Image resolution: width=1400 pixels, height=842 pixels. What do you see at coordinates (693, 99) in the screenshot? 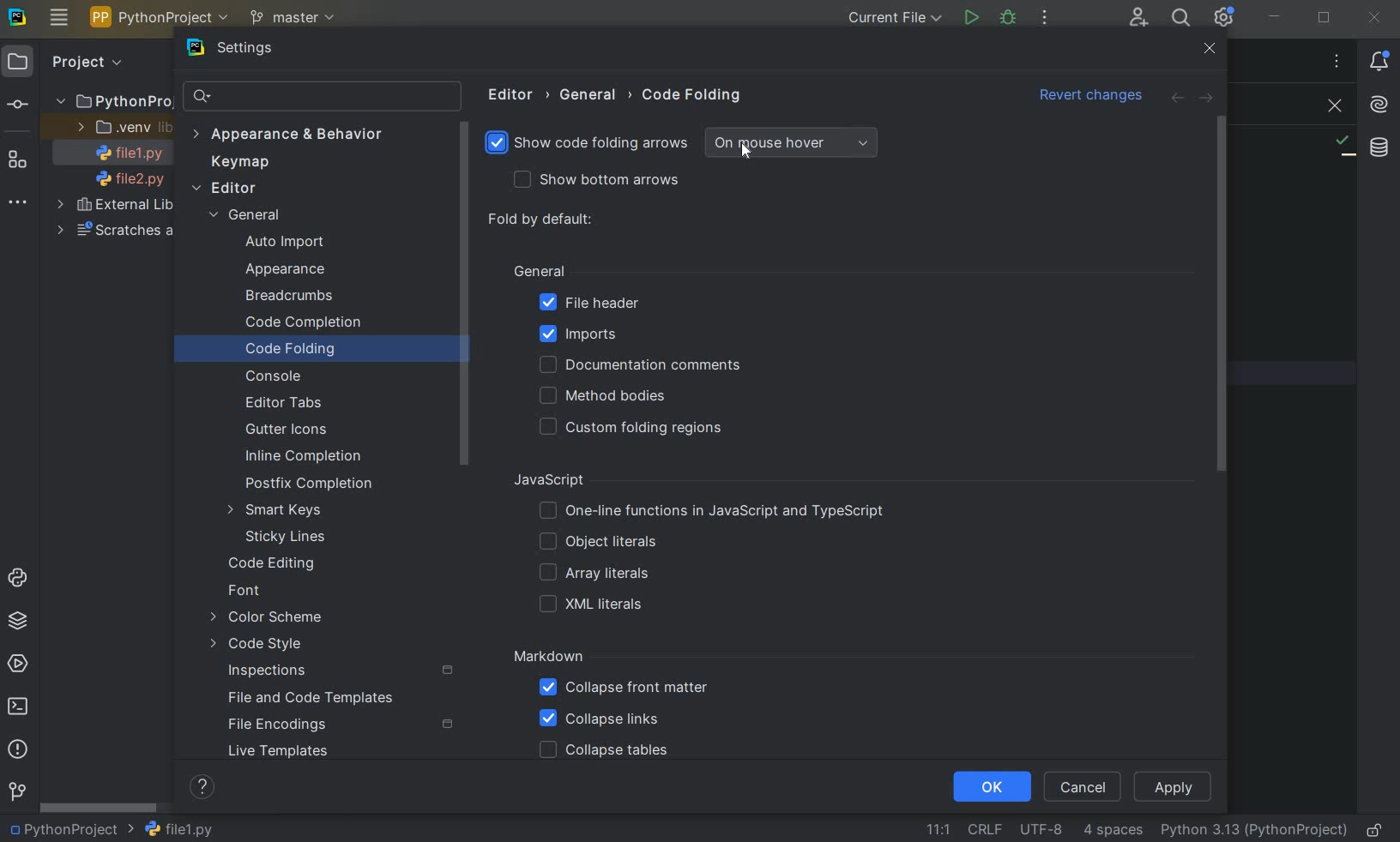
I see `CODE FOLDING` at bounding box center [693, 99].